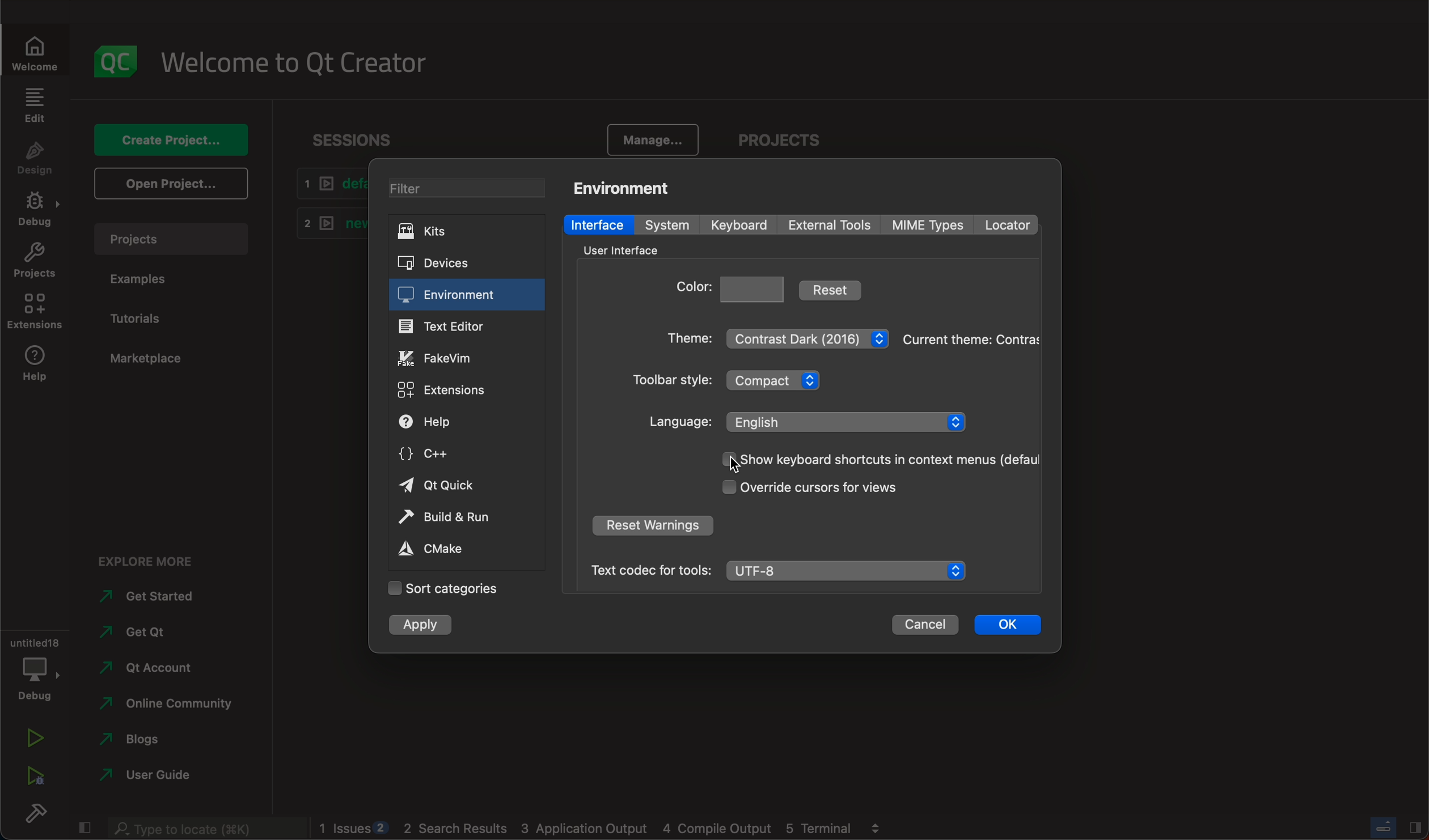 The height and width of the screenshot is (840, 1429). Describe the element at coordinates (447, 550) in the screenshot. I see `cmake` at that location.